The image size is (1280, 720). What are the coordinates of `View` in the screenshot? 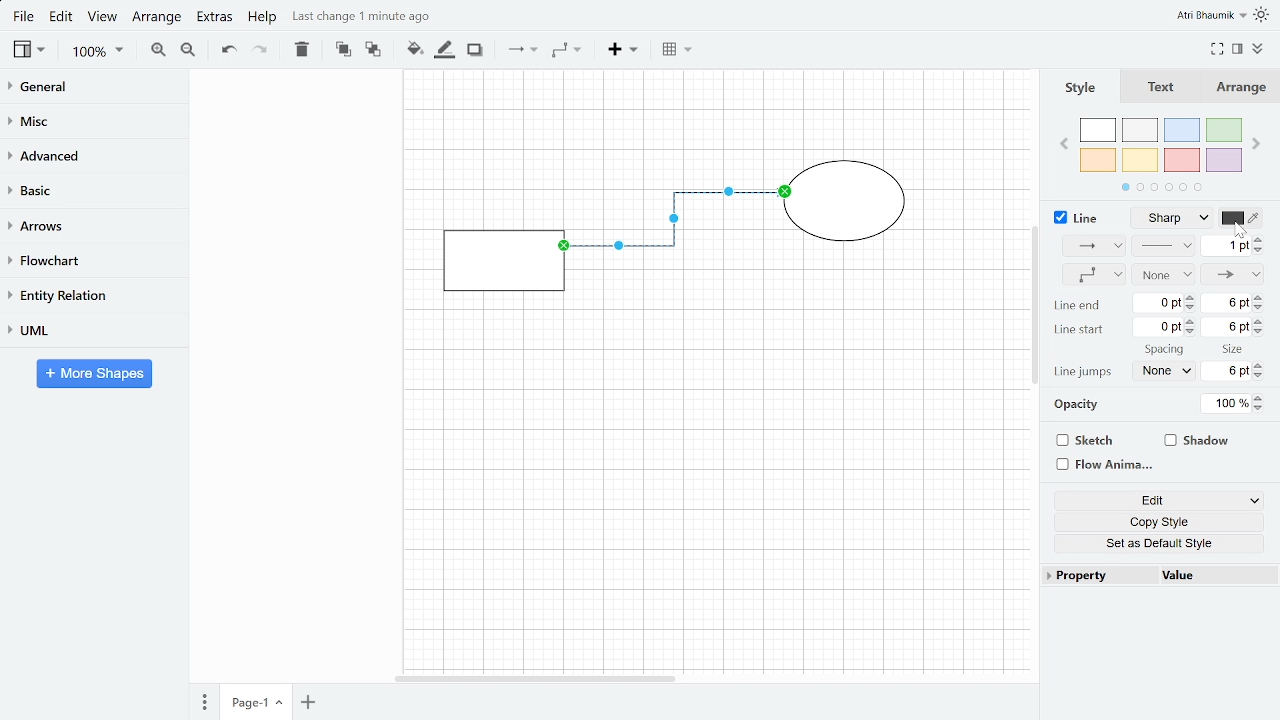 It's located at (27, 50).